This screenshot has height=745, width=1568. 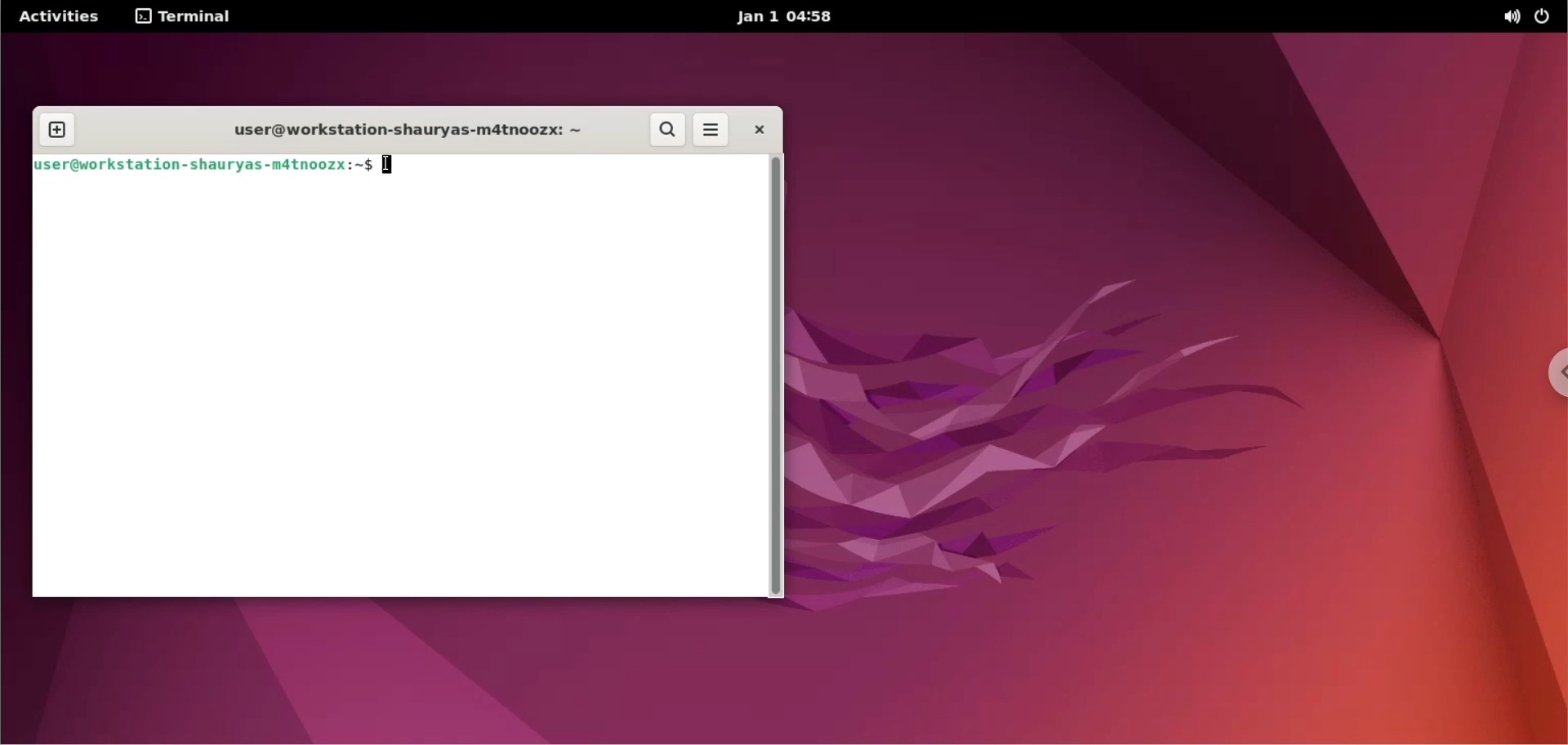 I want to click on user@workstation -shauryas-mdtnoozx:~$ , so click(x=200, y=164).